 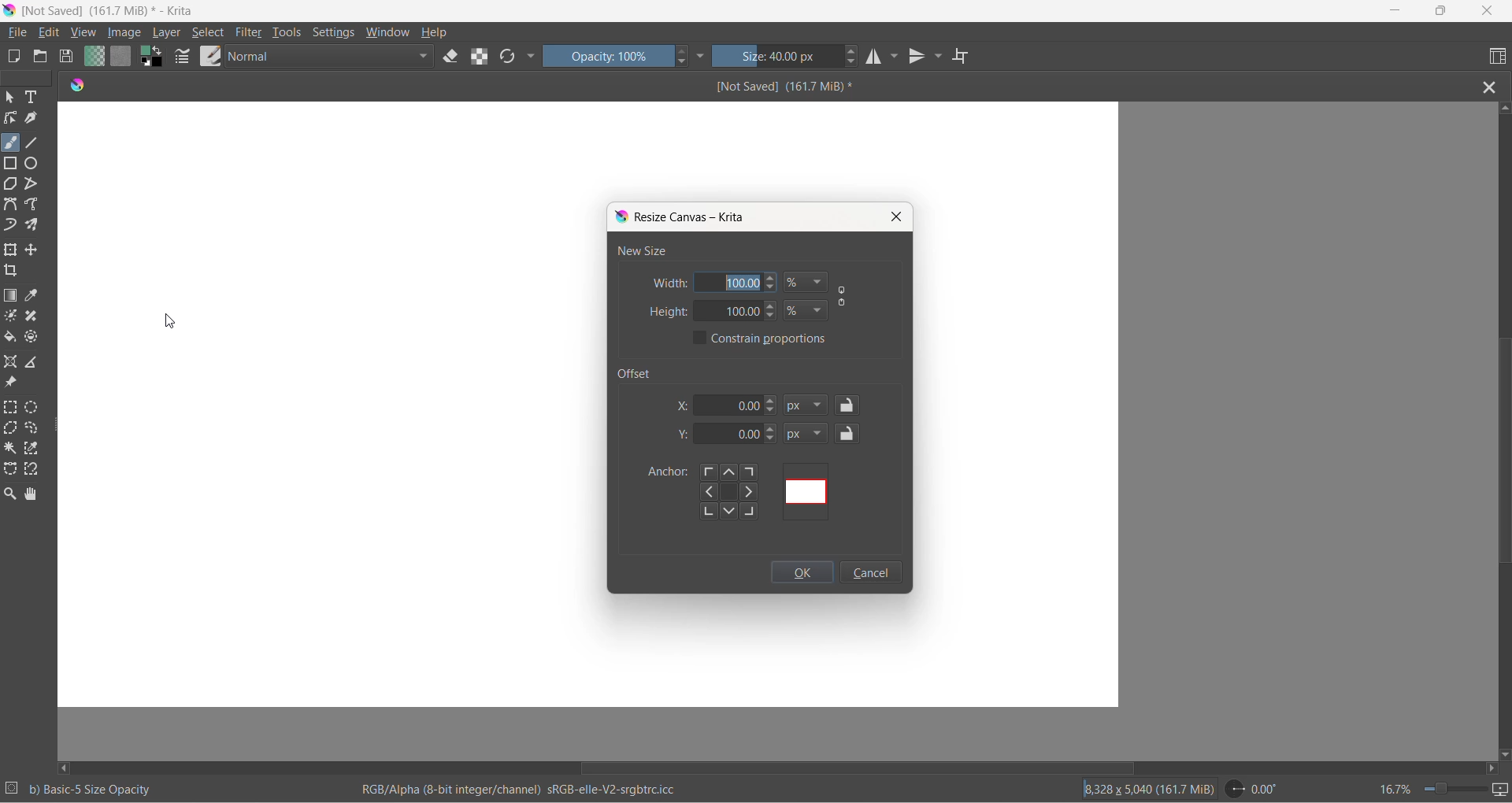 What do you see at coordinates (32, 162) in the screenshot?
I see `ellipse tool` at bounding box center [32, 162].